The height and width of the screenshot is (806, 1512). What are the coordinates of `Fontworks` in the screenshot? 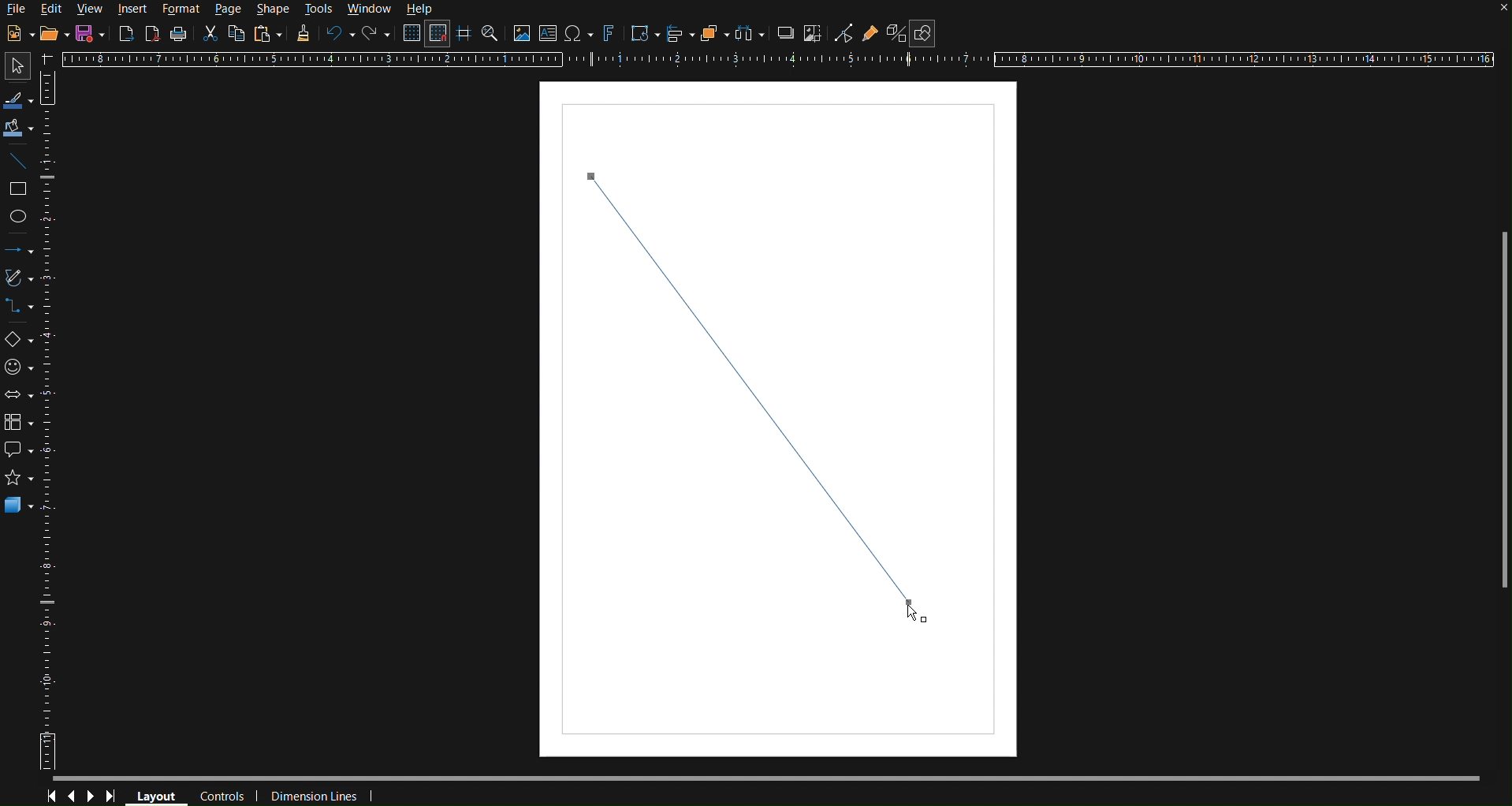 It's located at (610, 33).